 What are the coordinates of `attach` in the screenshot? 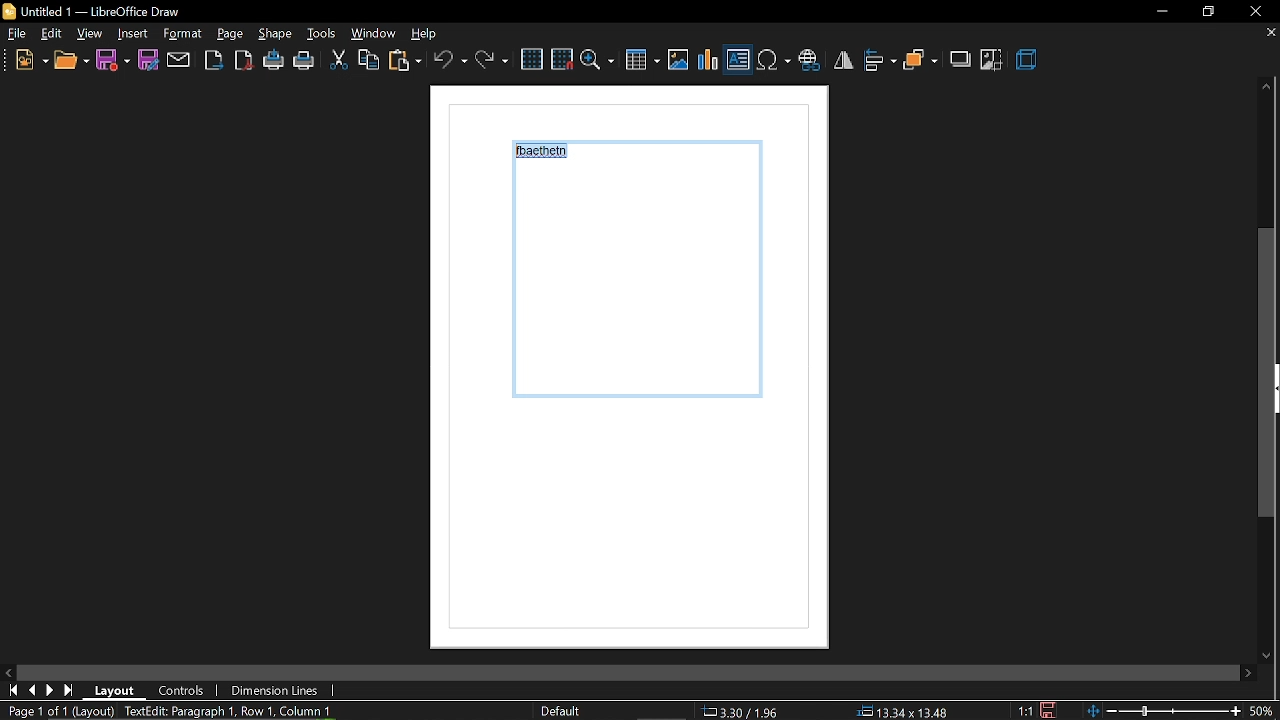 It's located at (178, 61).